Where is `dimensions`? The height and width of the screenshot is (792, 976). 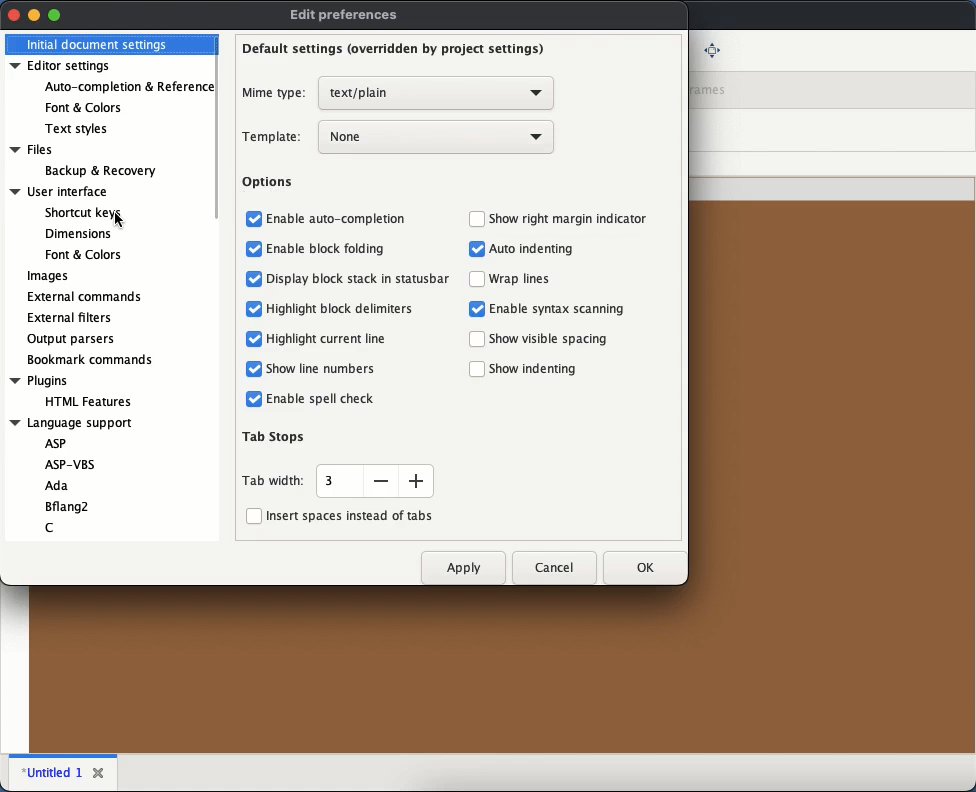
dimensions is located at coordinates (79, 233).